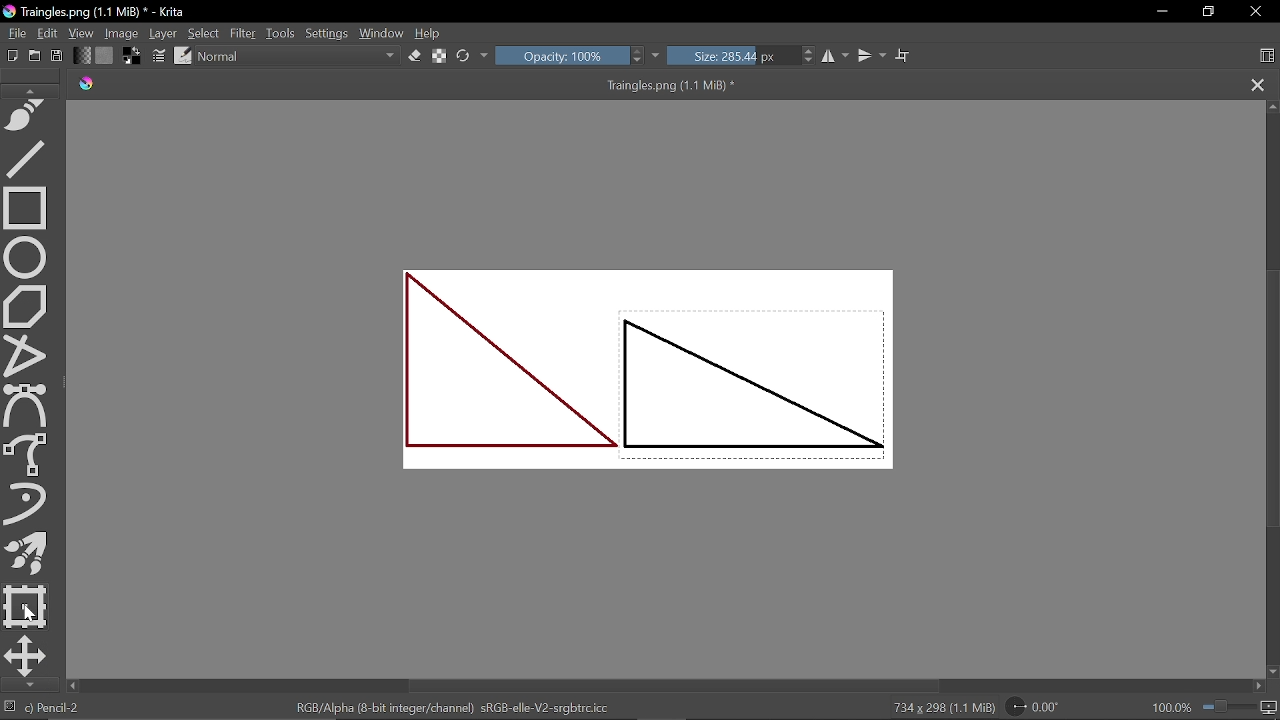  I want to click on 734 x 298 (1.1 MiB), so click(938, 708).